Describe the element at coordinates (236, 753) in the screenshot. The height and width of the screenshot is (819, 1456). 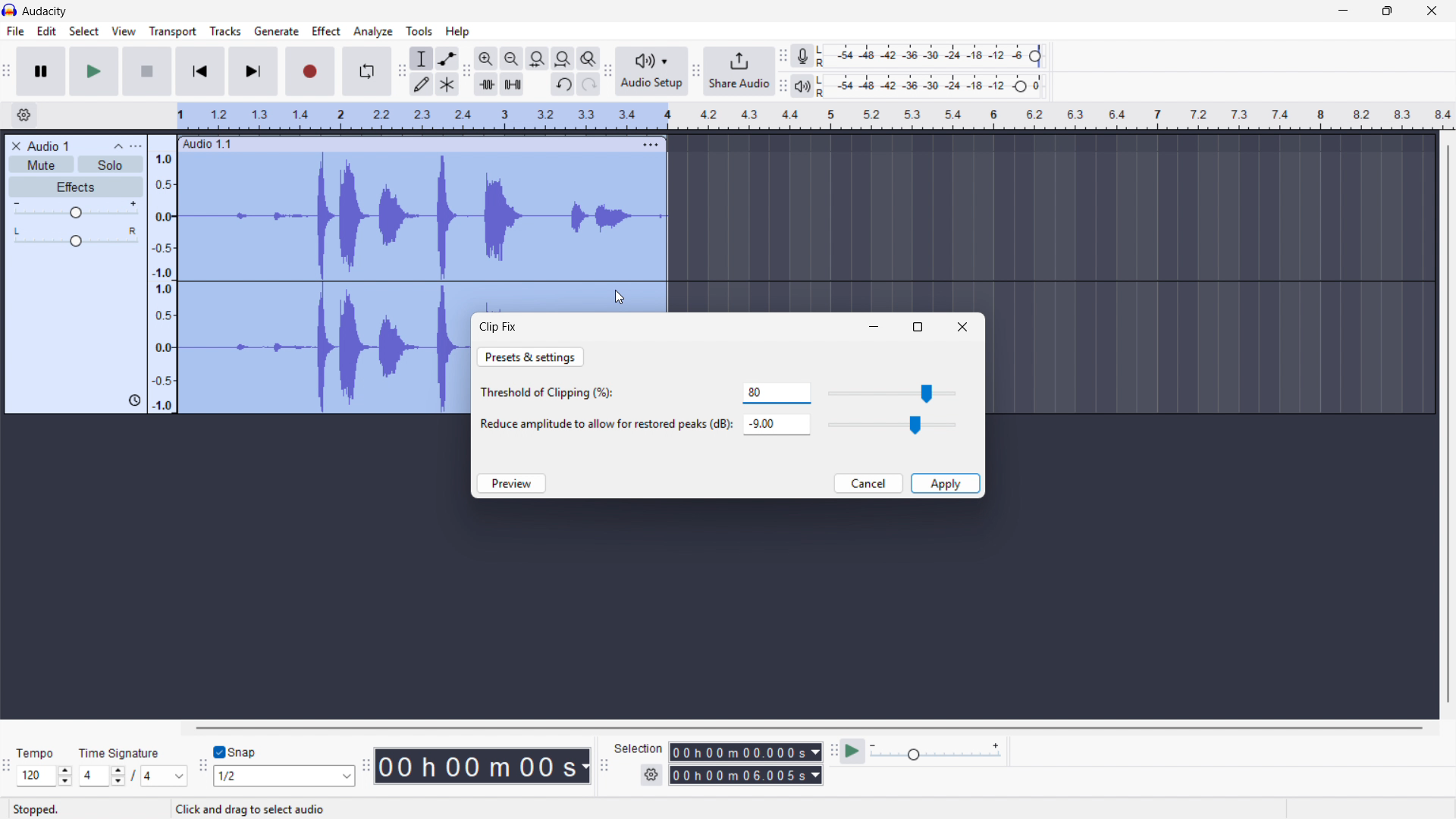
I see `Toggle snap` at that location.